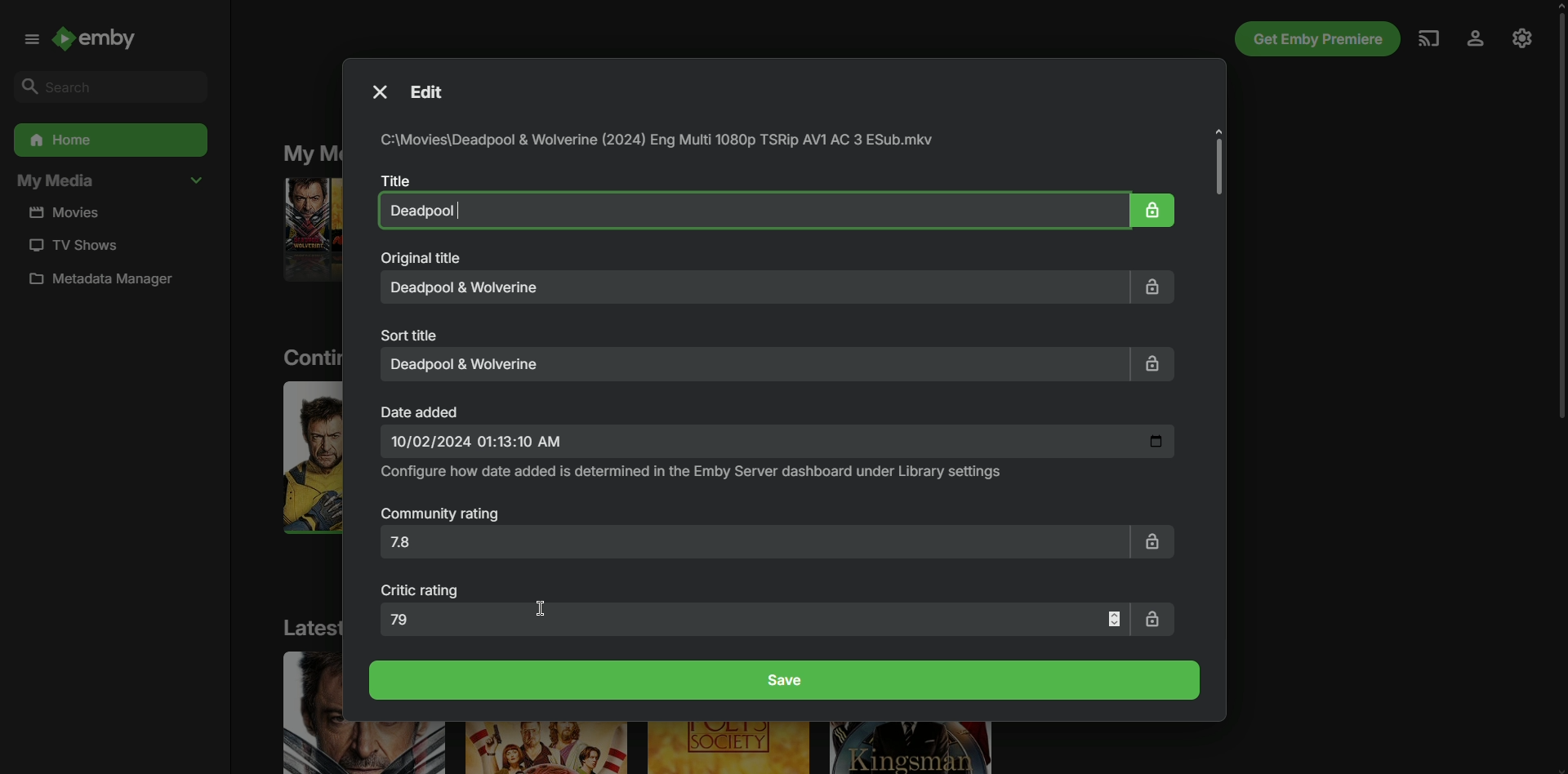 Image resolution: width=1568 pixels, height=774 pixels. What do you see at coordinates (751, 546) in the screenshot?
I see `7.8` at bounding box center [751, 546].